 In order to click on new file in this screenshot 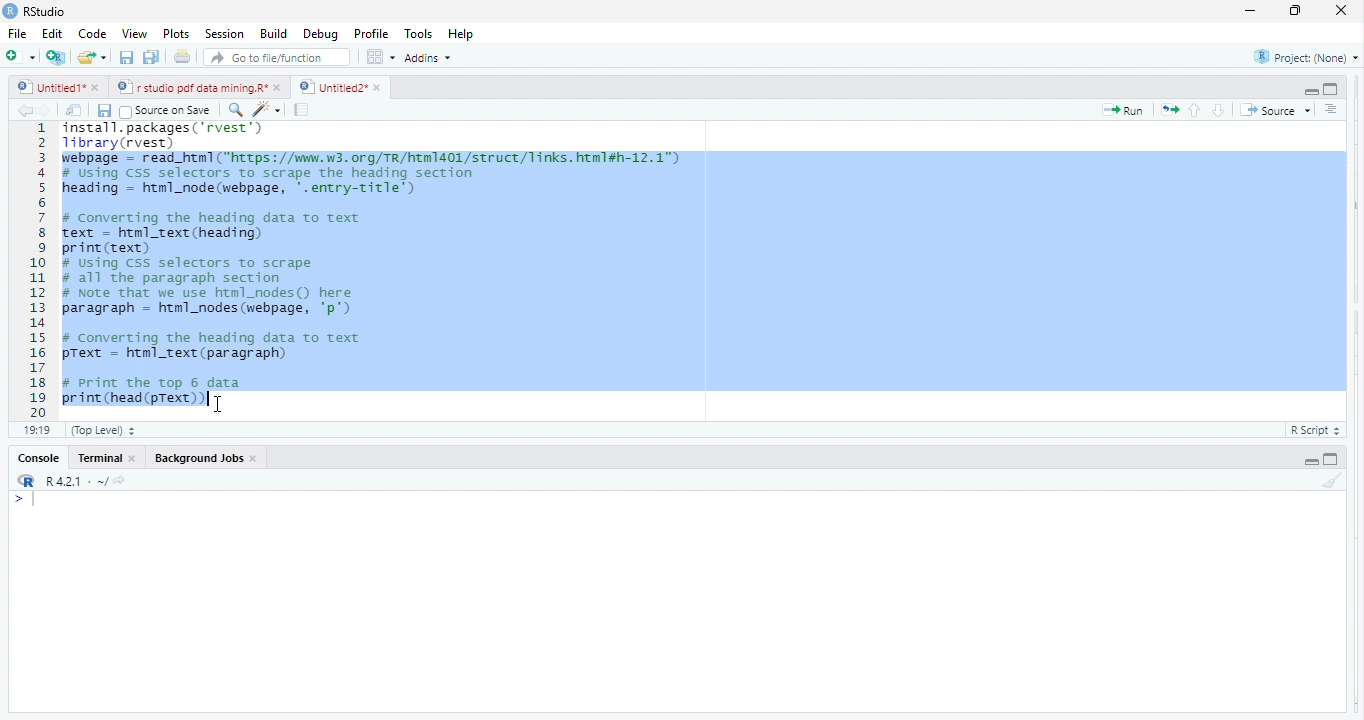, I will do `click(20, 56)`.